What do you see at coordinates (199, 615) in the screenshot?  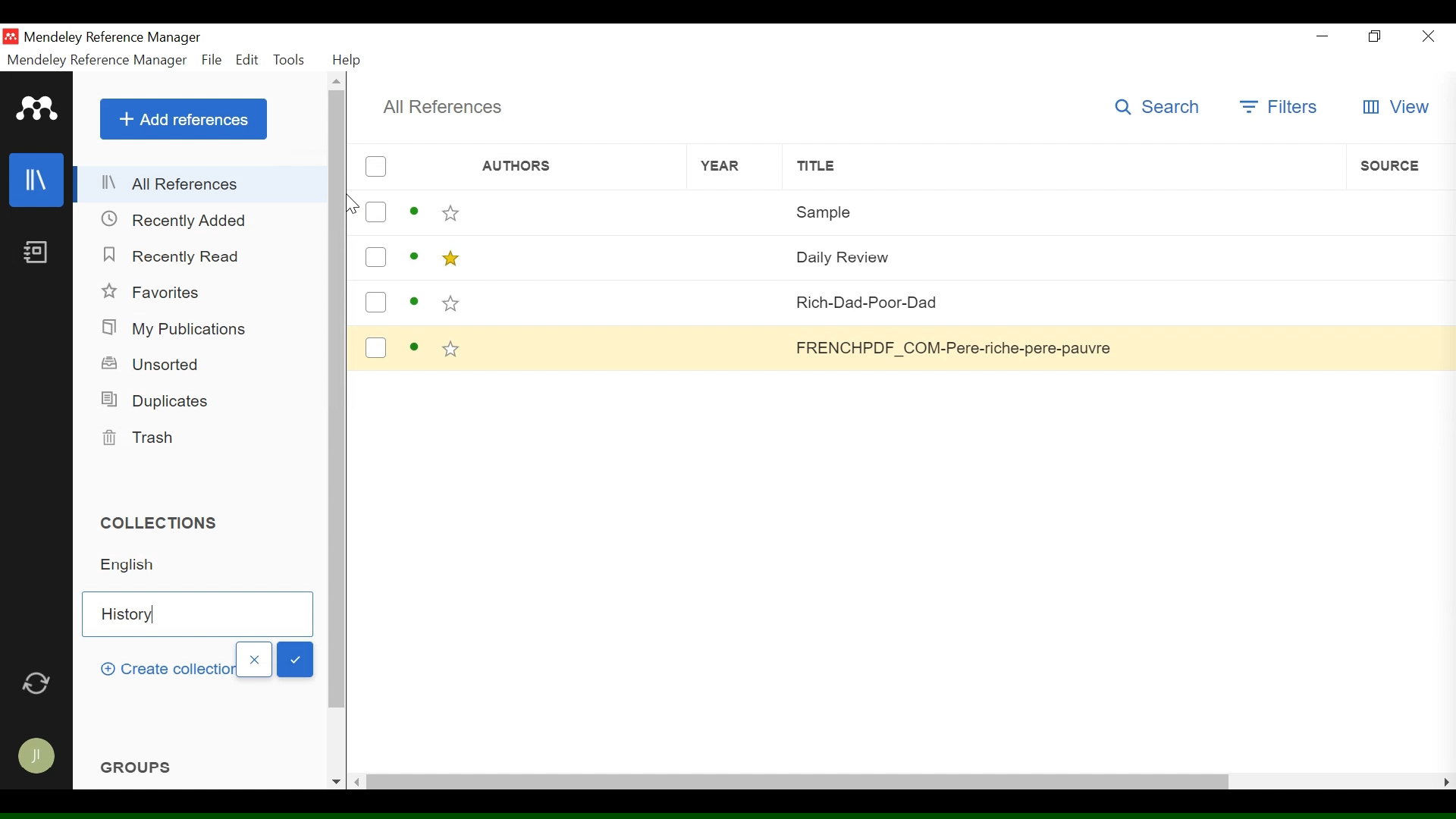 I see `History` at bounding box center [199, 615].